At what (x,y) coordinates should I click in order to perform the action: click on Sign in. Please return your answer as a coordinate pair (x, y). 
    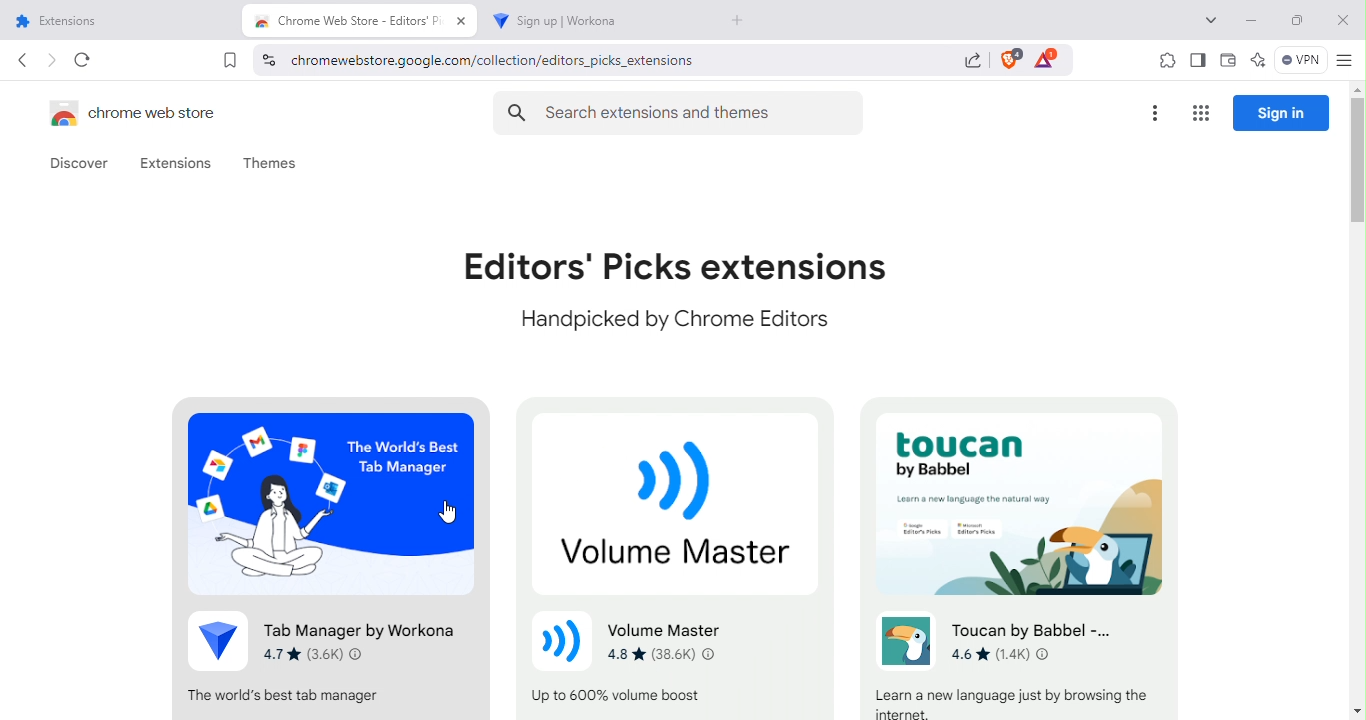
    Looking at the image, I should click on (1281, 112).